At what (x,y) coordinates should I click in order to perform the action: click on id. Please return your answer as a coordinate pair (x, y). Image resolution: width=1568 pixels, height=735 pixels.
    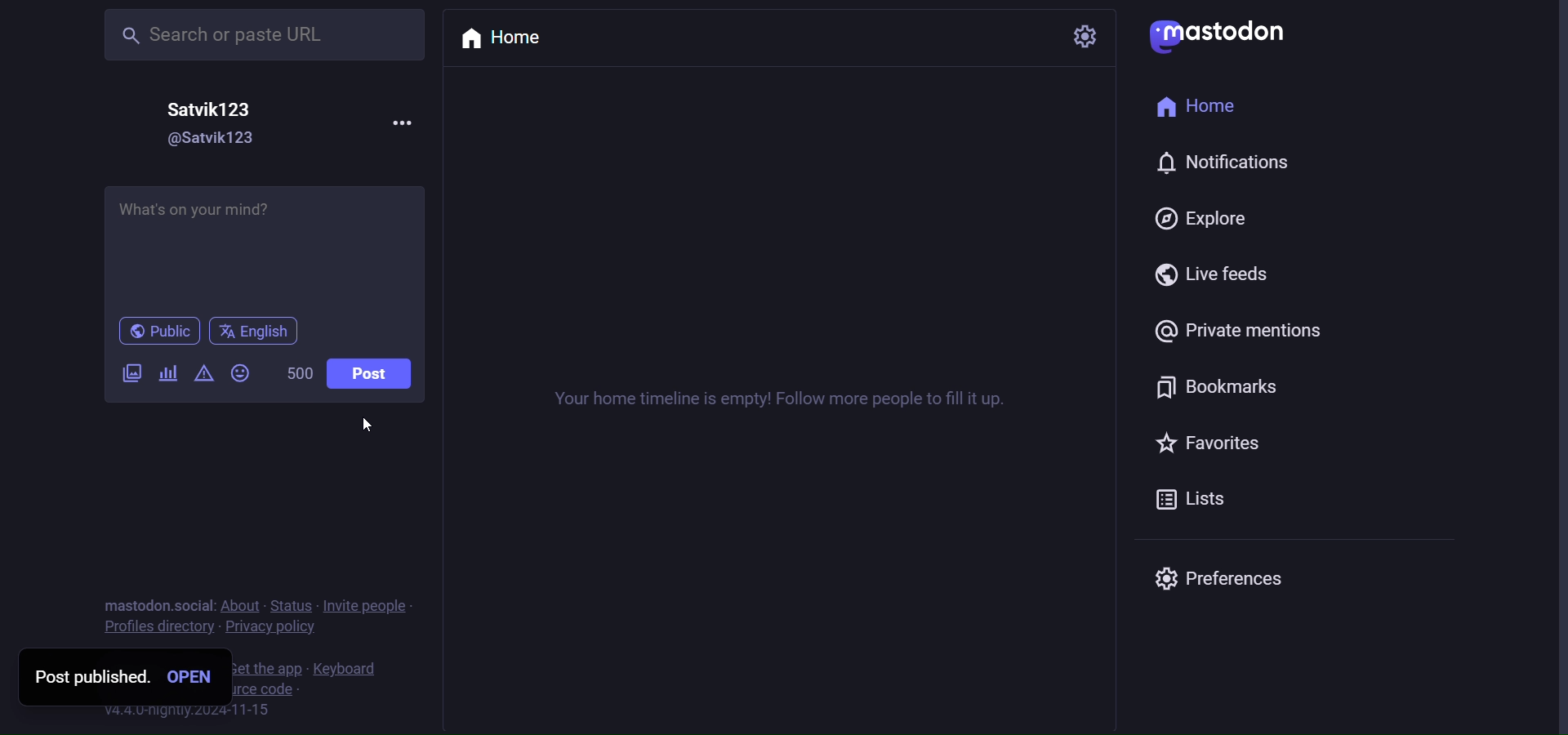
    Looking at the image, I should click on (198, 140).